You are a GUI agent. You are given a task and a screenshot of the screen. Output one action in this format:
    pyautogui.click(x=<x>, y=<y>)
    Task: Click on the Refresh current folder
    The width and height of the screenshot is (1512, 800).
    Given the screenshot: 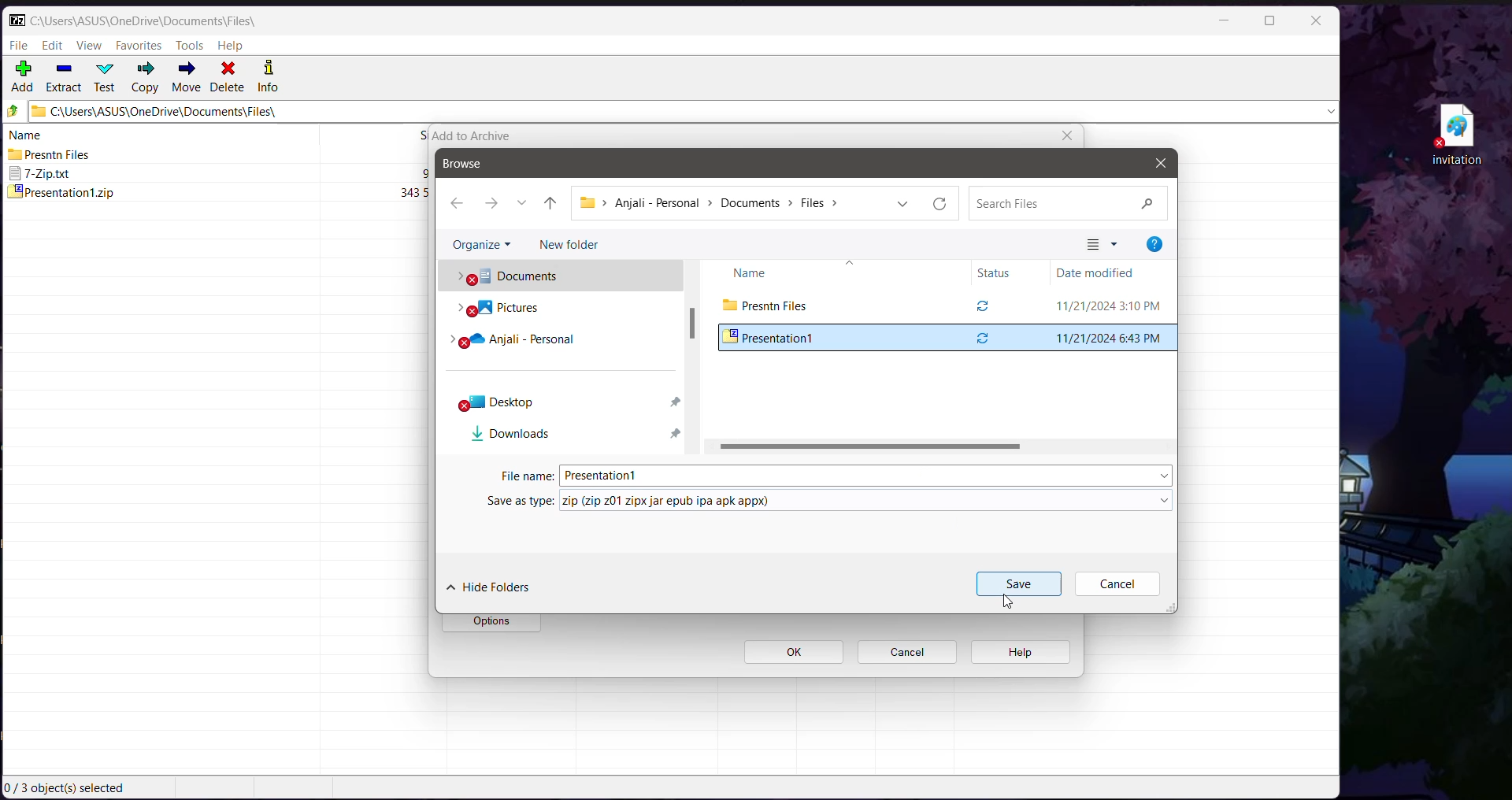 What is the action you would take?
    pyautogui.click(x=939, y=203)
    